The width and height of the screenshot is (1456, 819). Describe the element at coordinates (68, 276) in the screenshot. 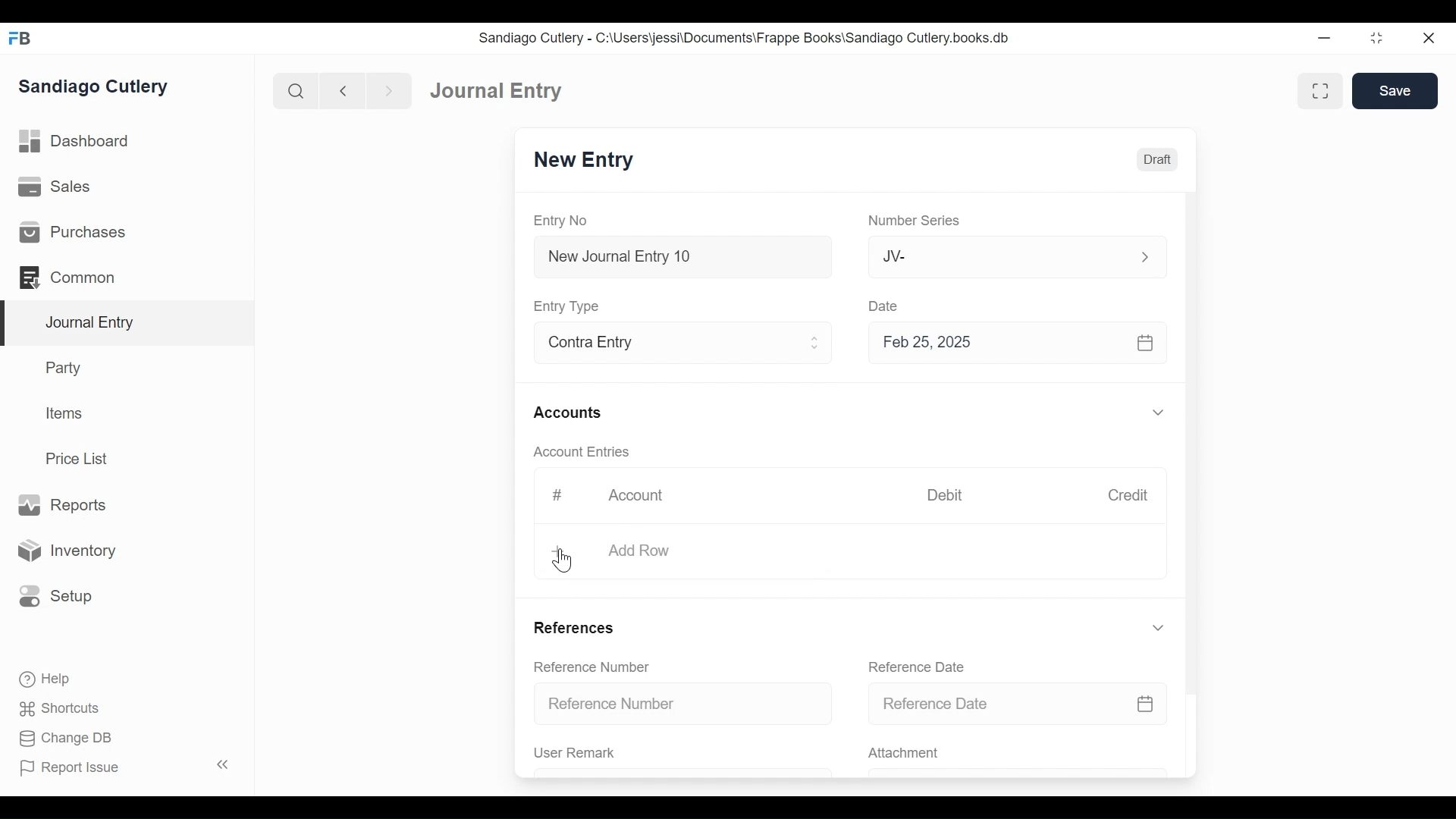

I see `Common` at that location.